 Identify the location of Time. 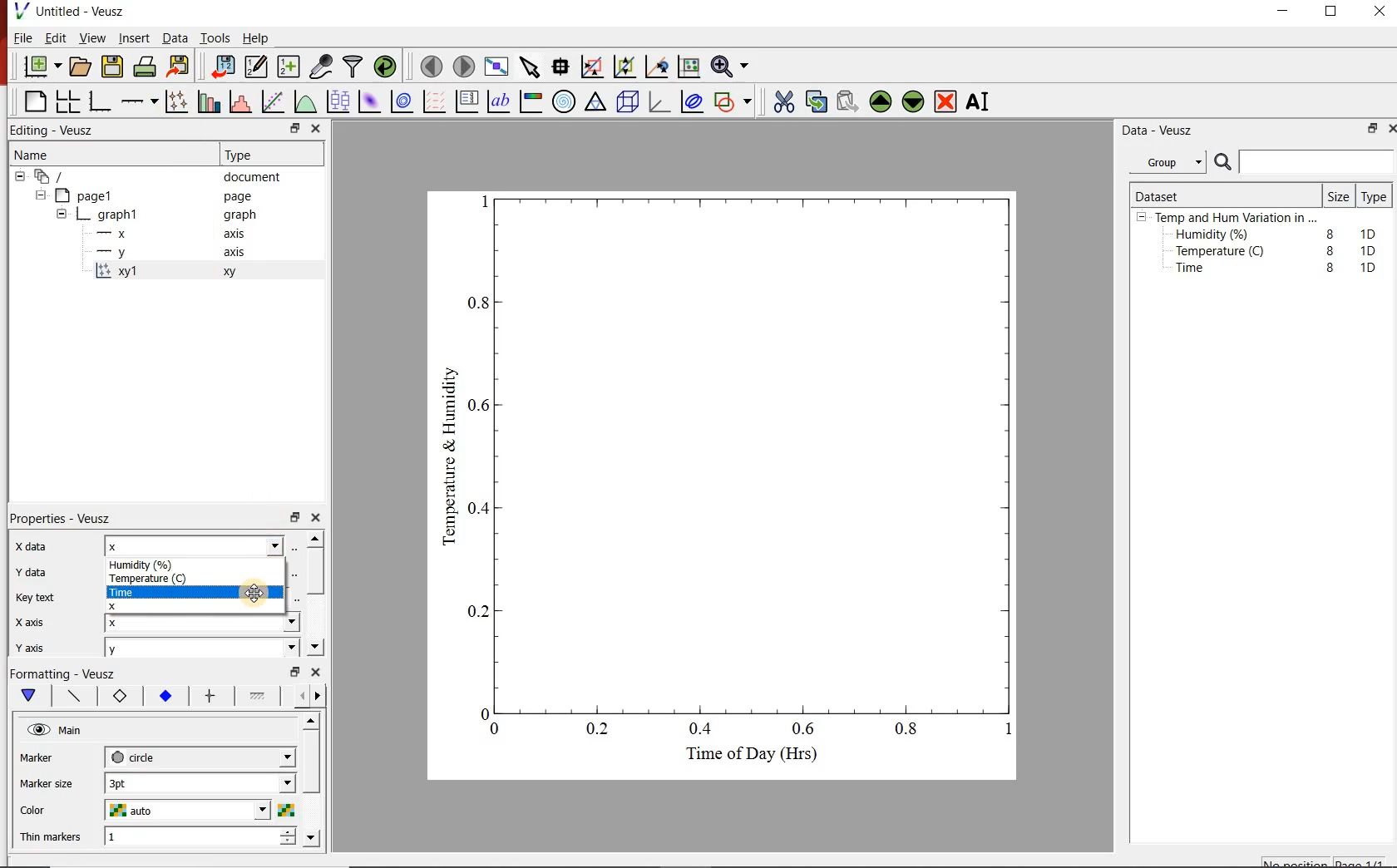
(1199, 272).